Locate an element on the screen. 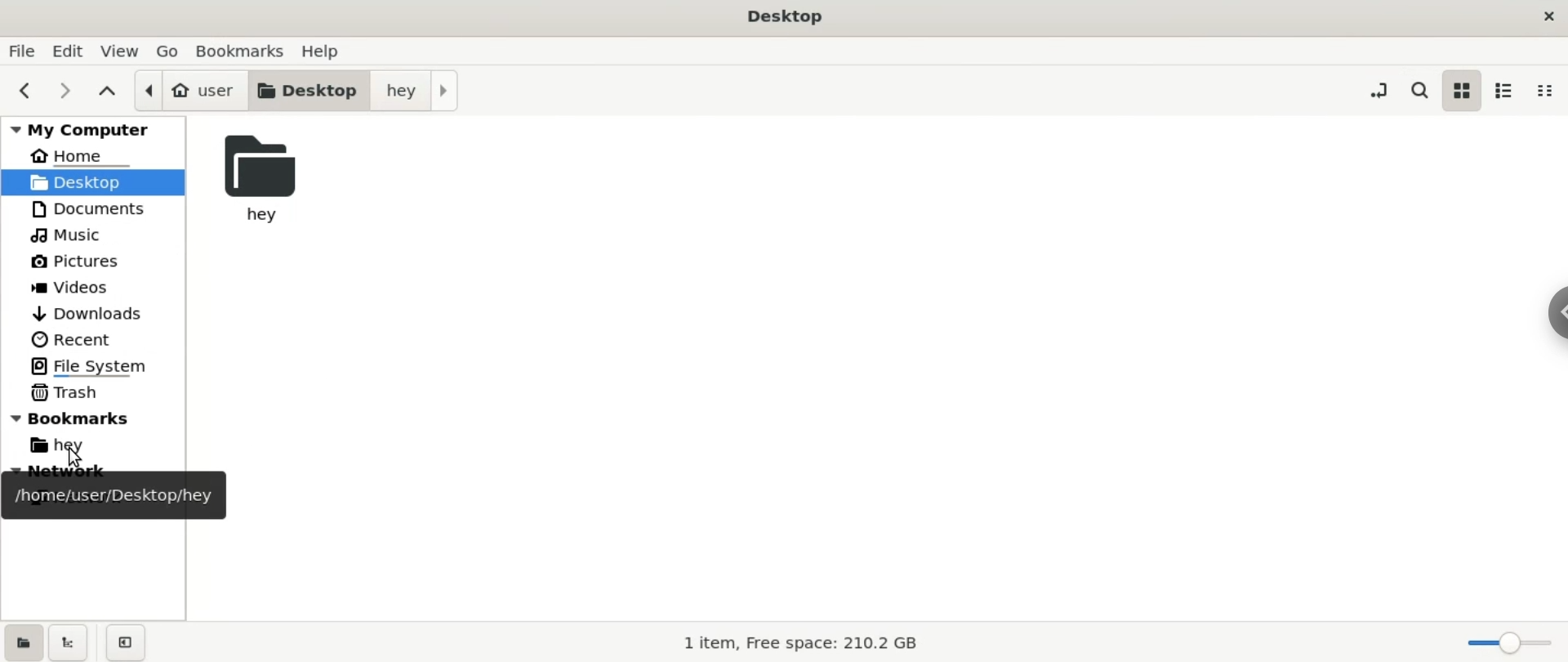  desktop is located at coordinates (309, 90).